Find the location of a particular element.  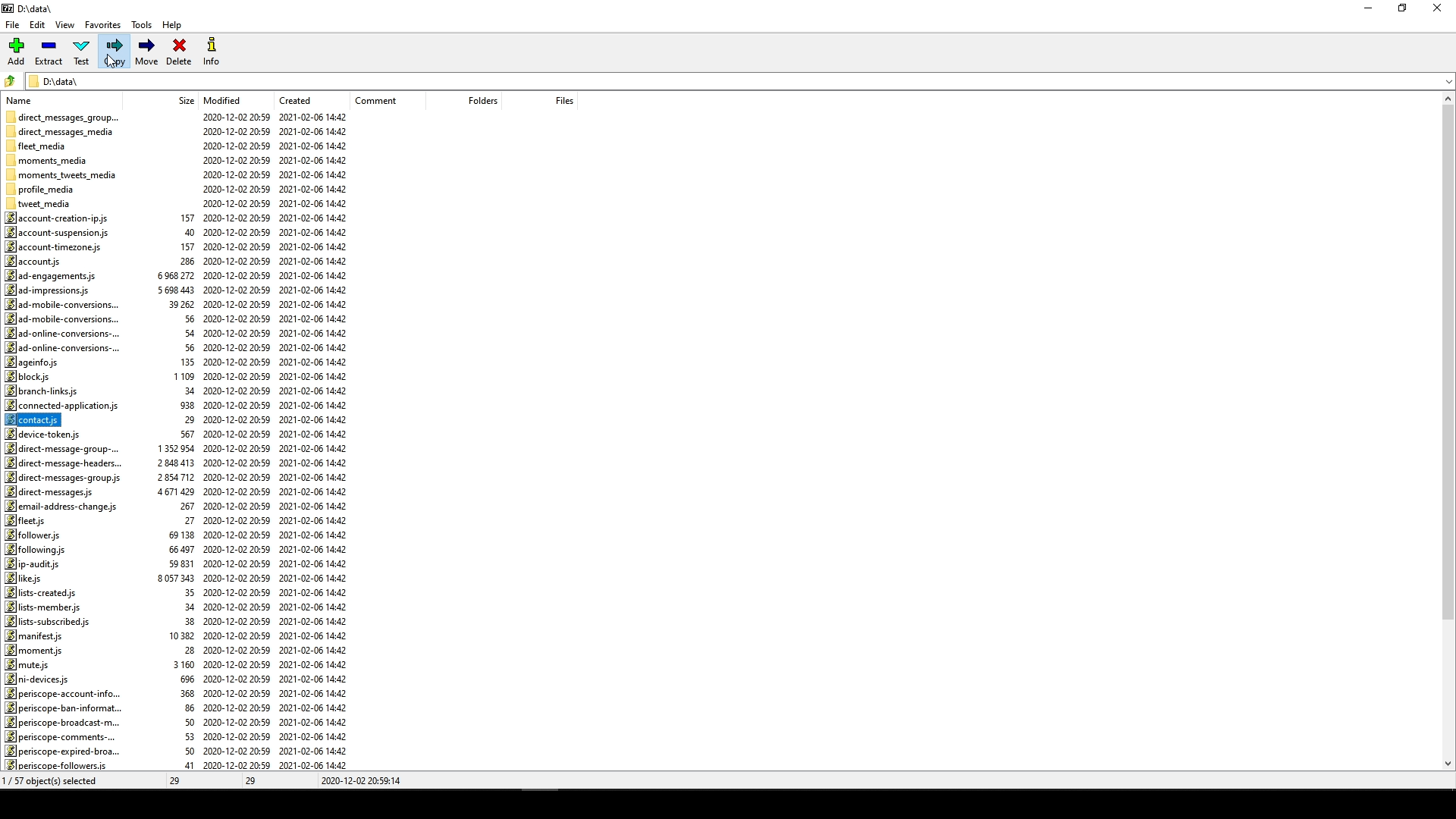

2020-12-02 20:59:14 is located at coordinates (364, 782).